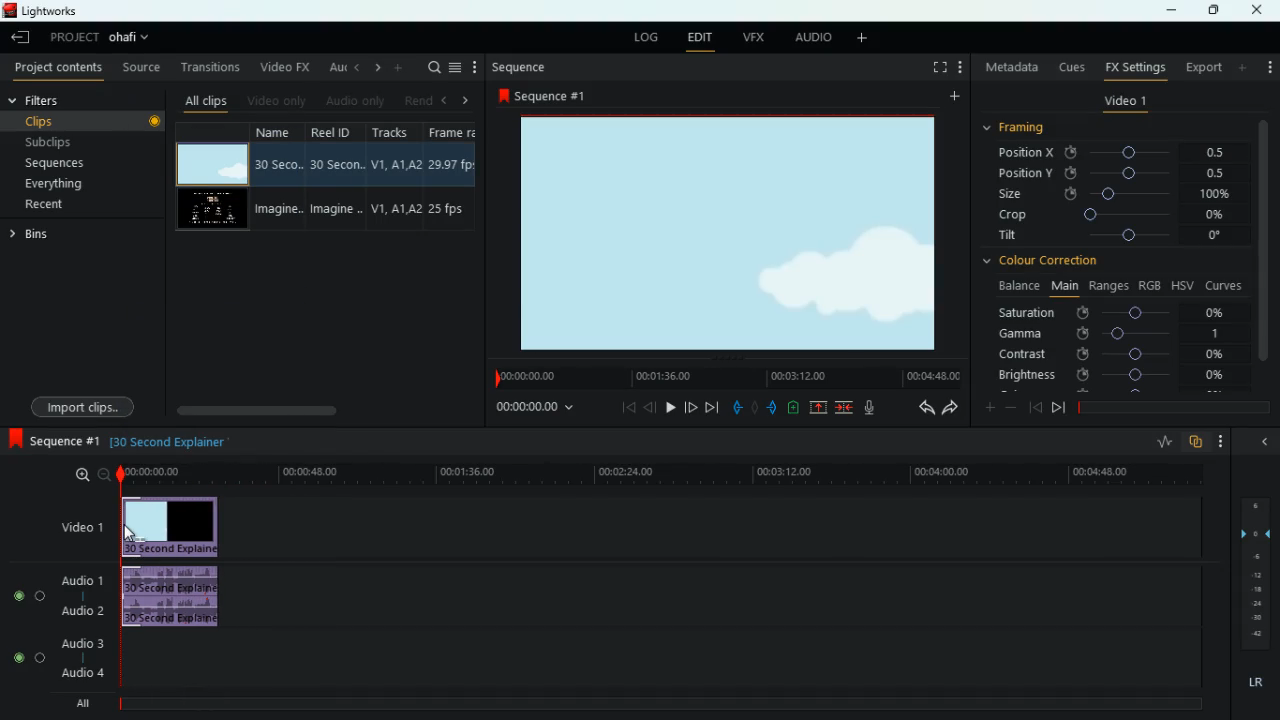 Image resolution: width=1280 pixels, height=720 pixels. I want to click on video1, so click(78, 527).